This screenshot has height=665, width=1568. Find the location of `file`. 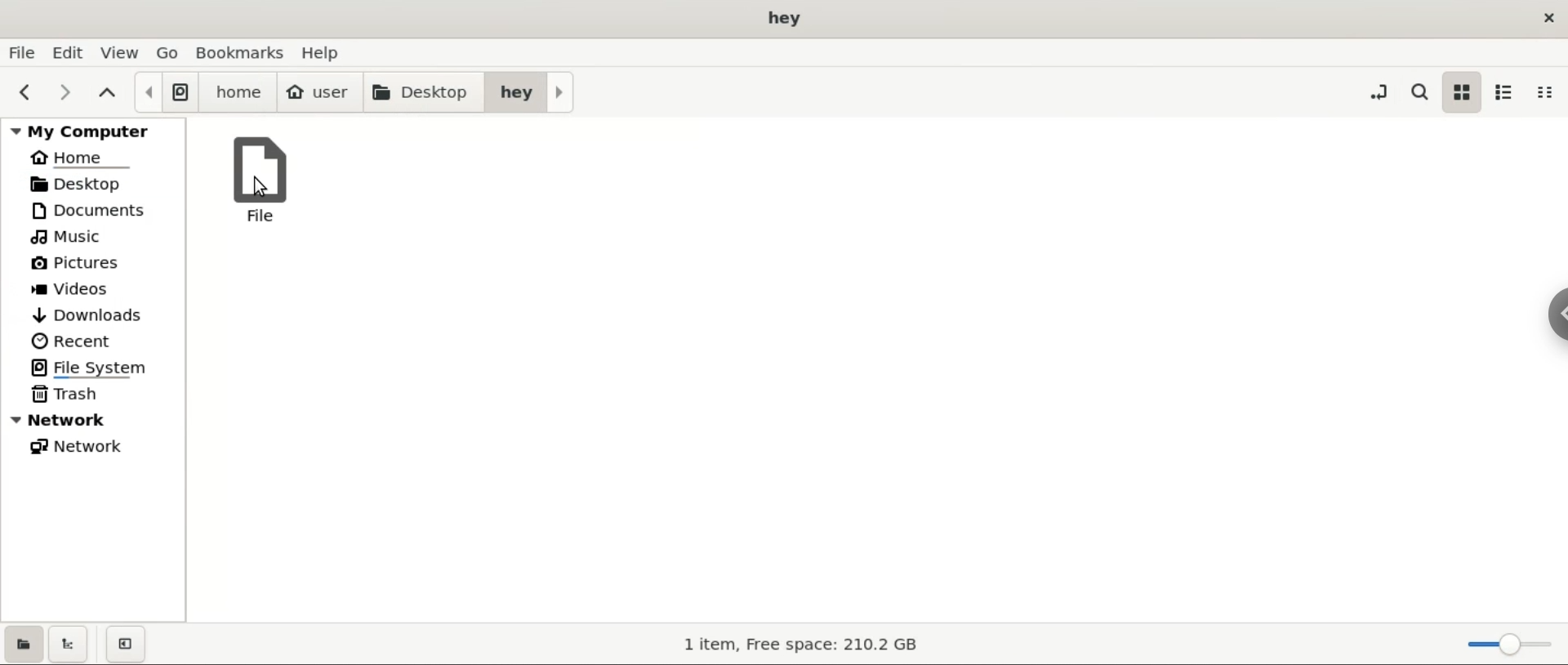

file is located at coordinates (256, 182).